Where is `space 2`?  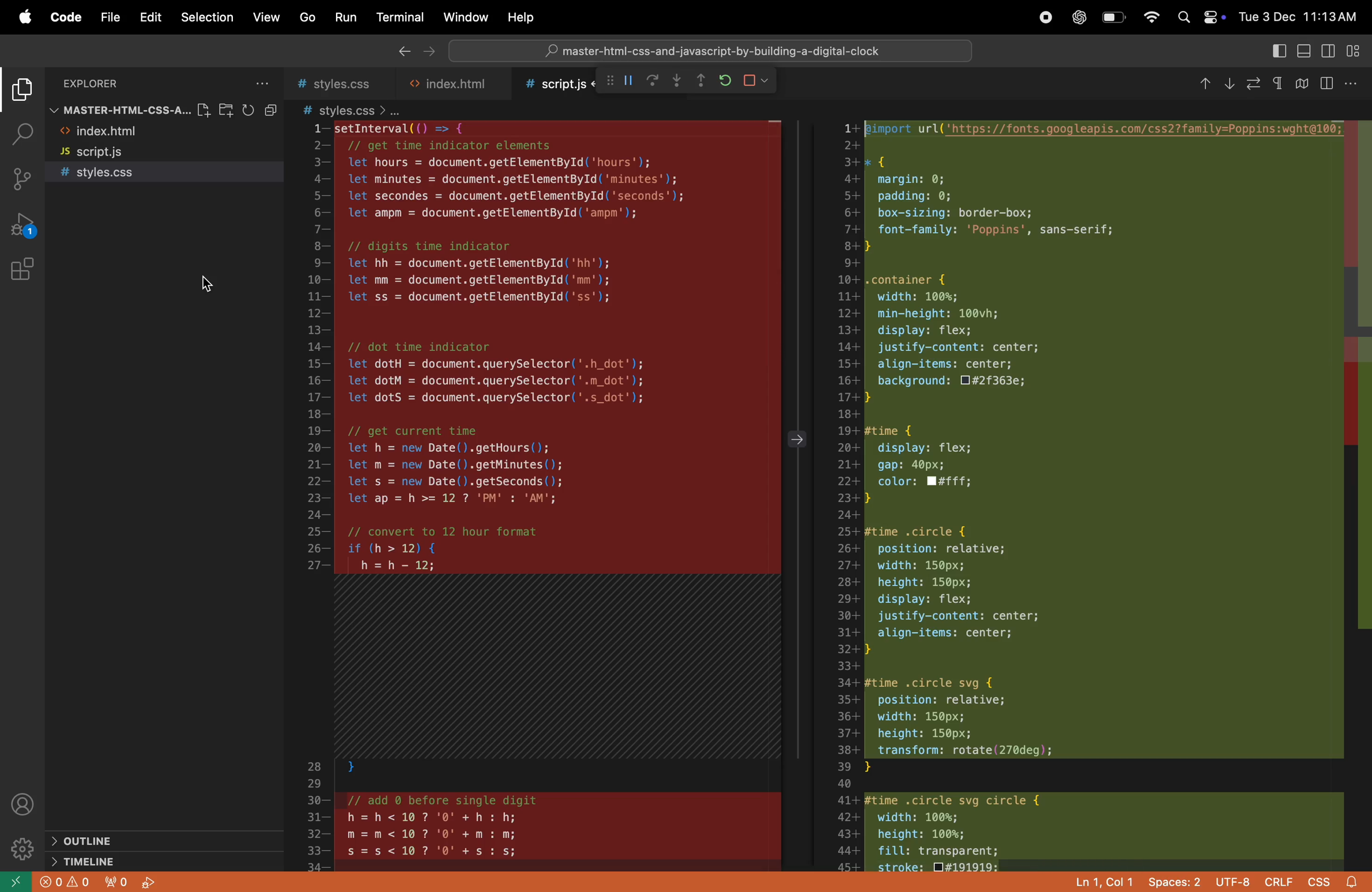
space 2 is located at coordinates (1175, 884).